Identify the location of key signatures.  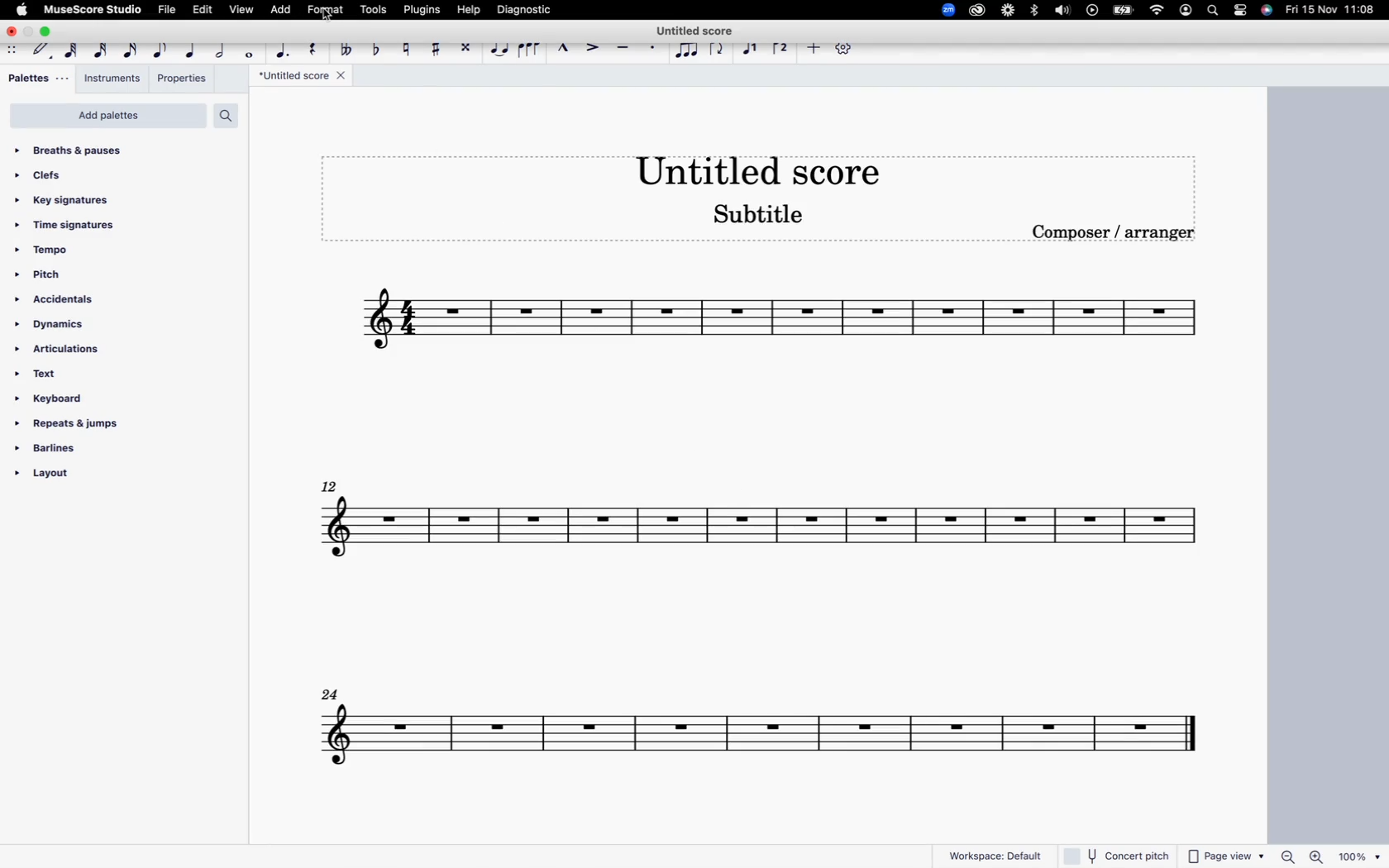
(69, 200).